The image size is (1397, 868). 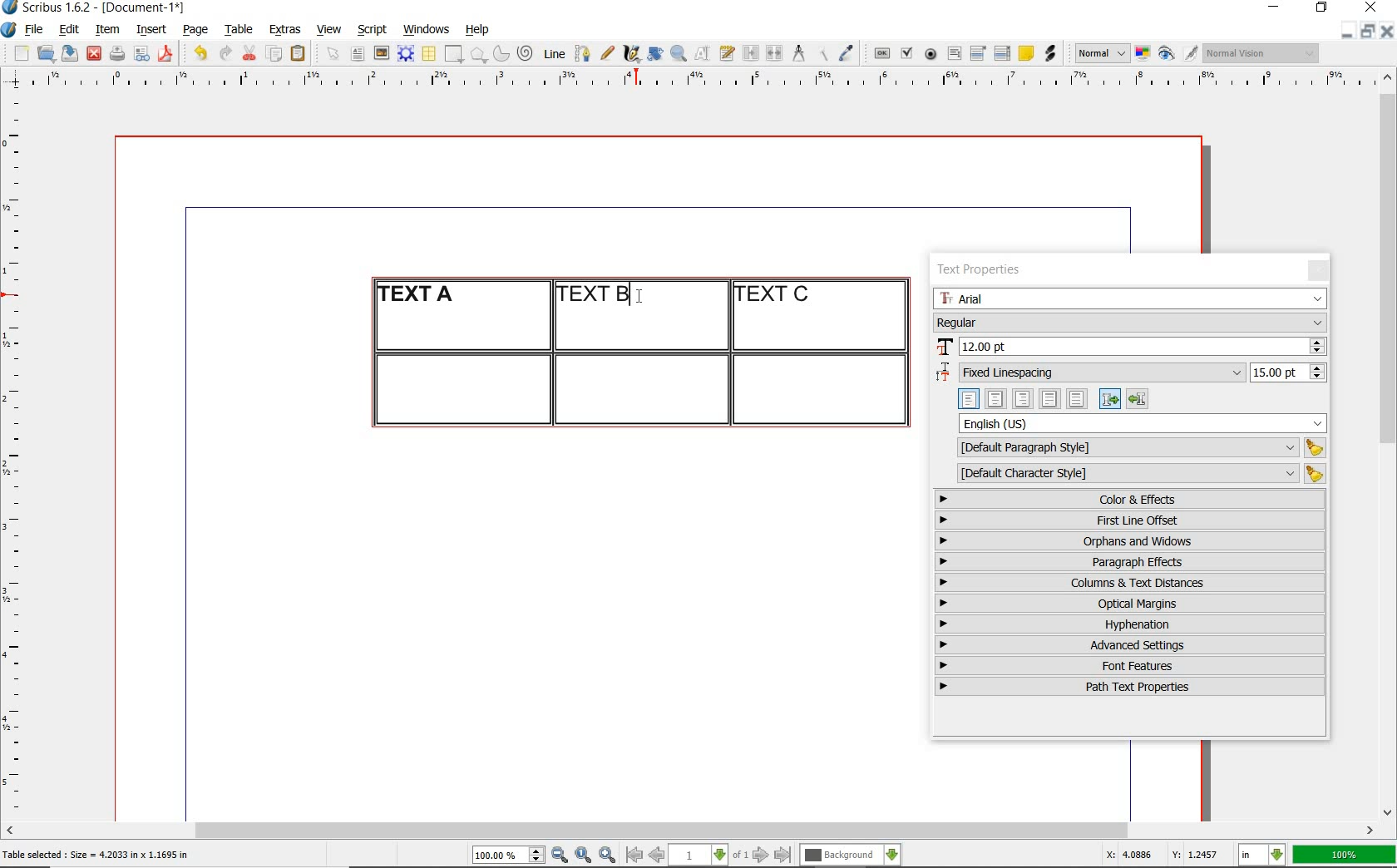 I want to click on calligraphic line, so click(x=633, y=53).